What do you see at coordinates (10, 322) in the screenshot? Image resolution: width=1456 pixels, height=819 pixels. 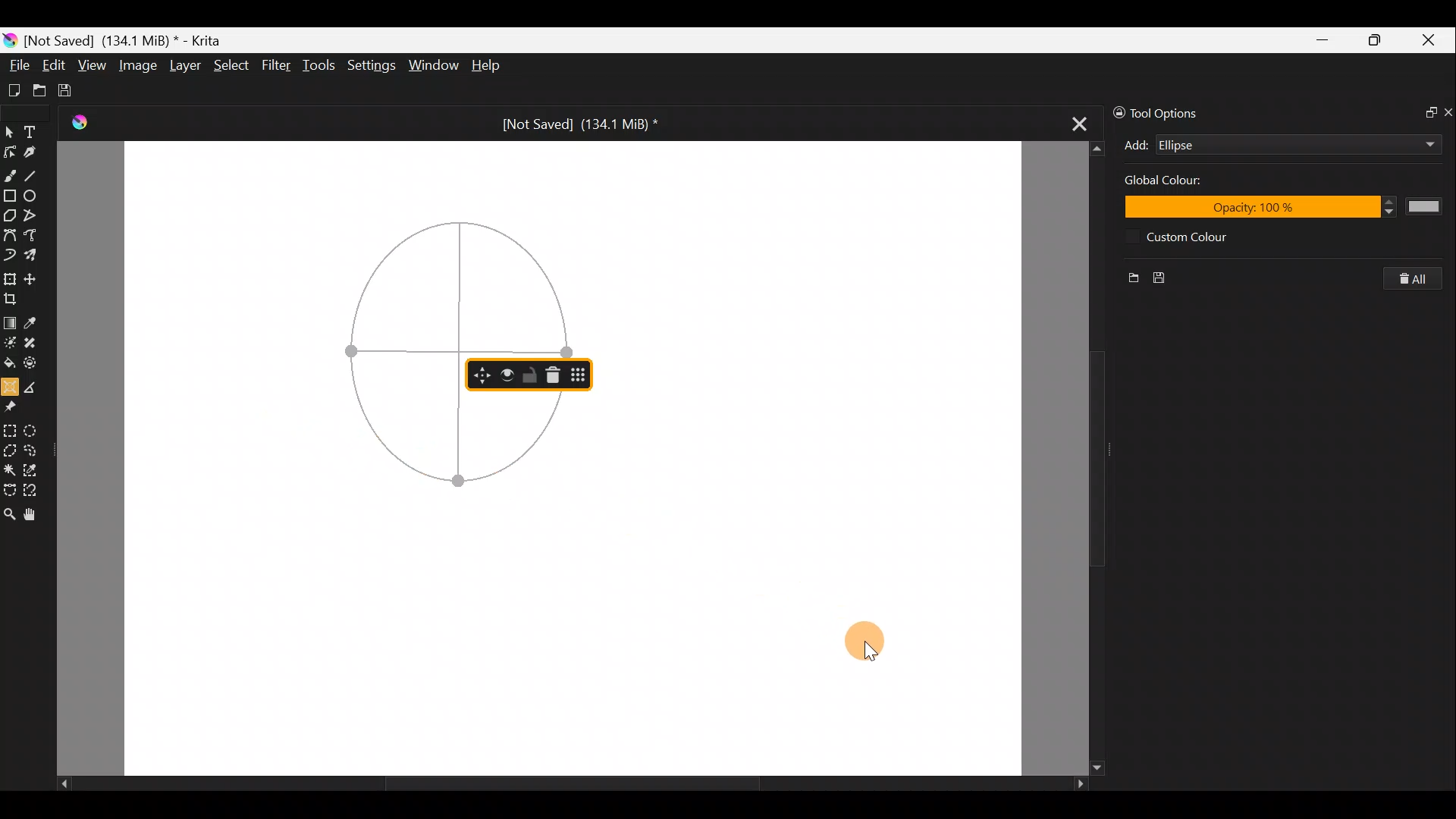 I see `Draw a gradient` at bounding box center [10, 322].